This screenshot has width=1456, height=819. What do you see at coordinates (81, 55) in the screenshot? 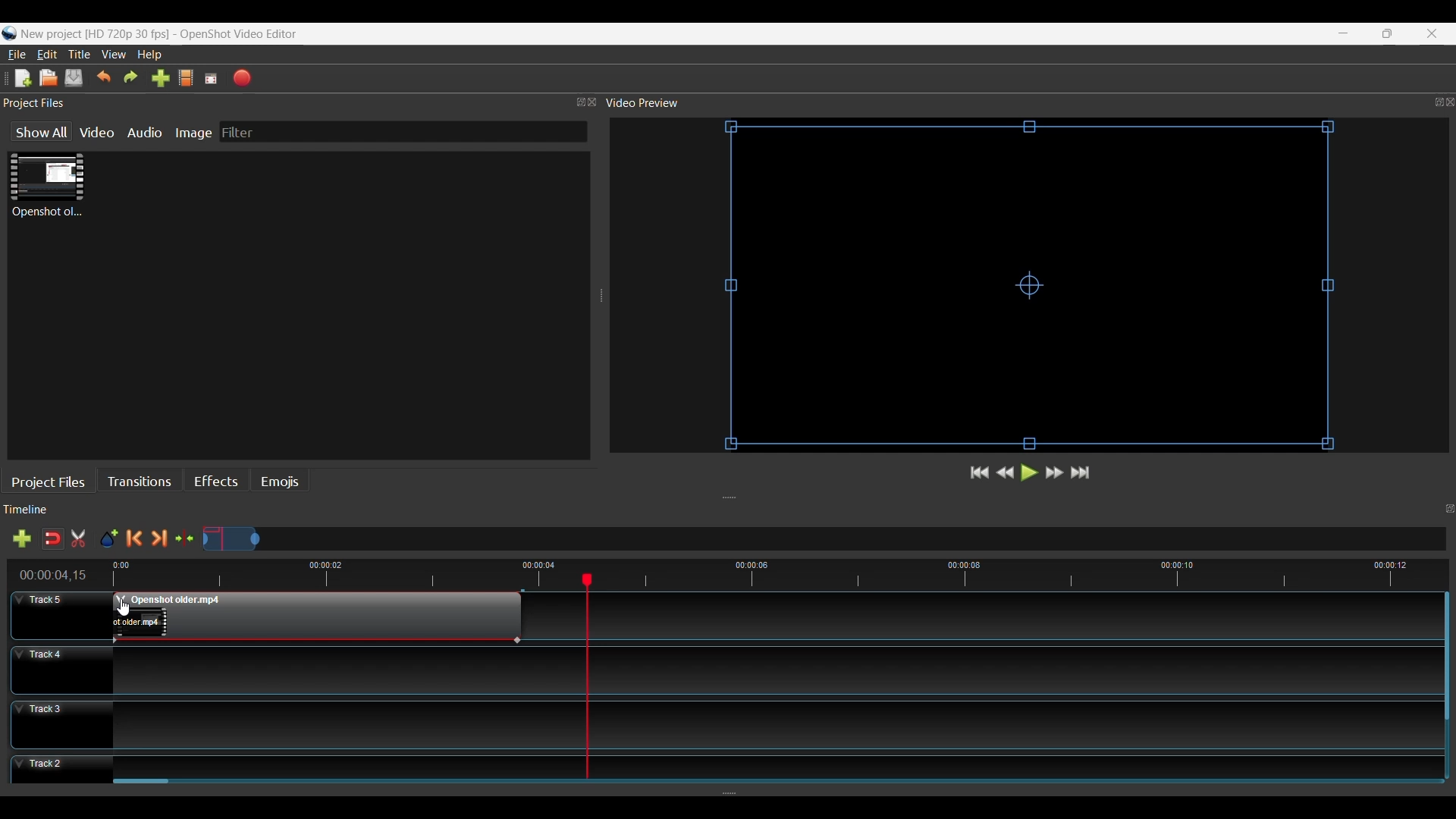
I see `Title` at bounding box center [81, 55].